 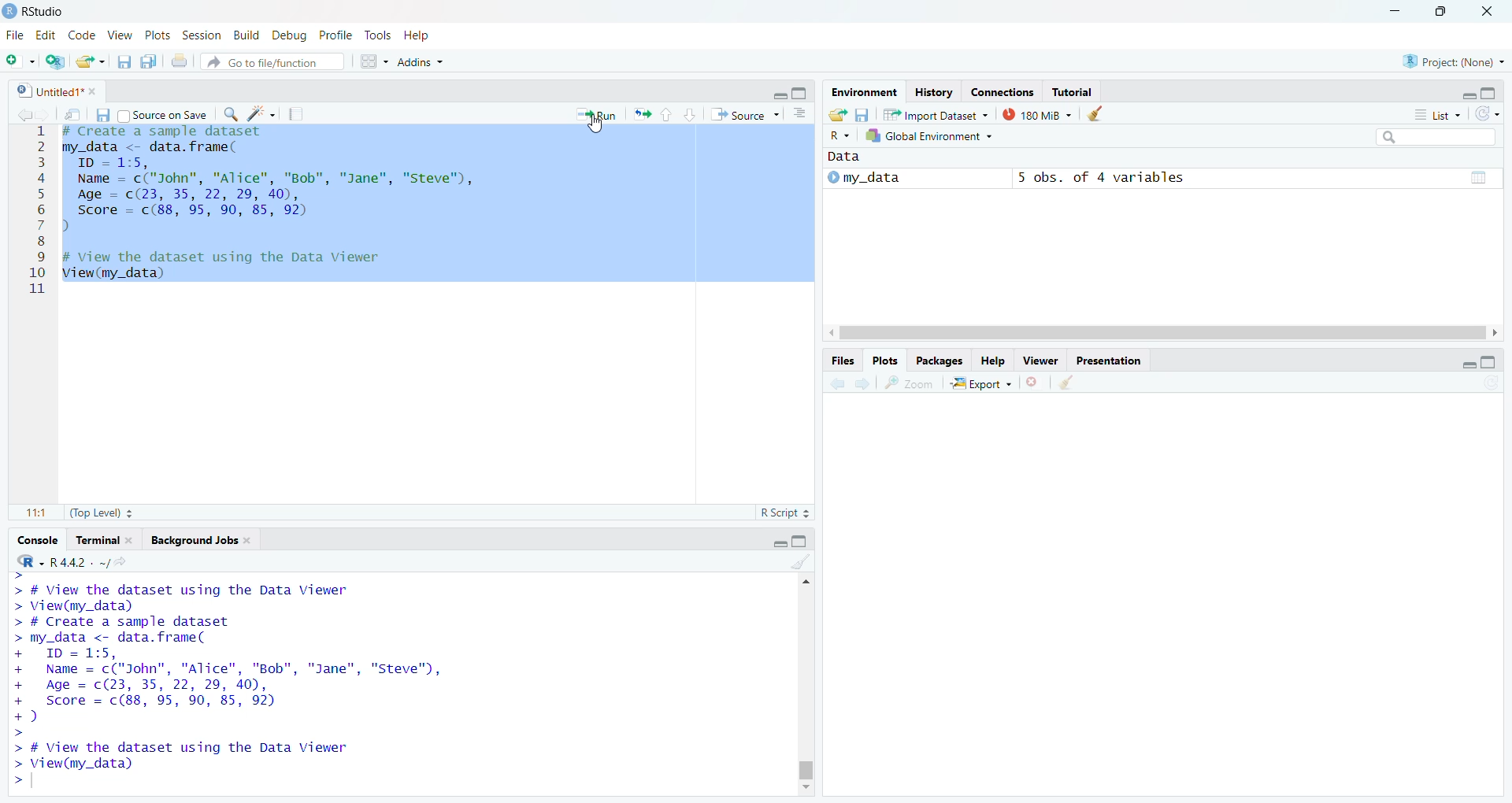 What do you see at coordinates (246, 35) in the screenshot?
I see `Build` at bounding box center [246, 35].